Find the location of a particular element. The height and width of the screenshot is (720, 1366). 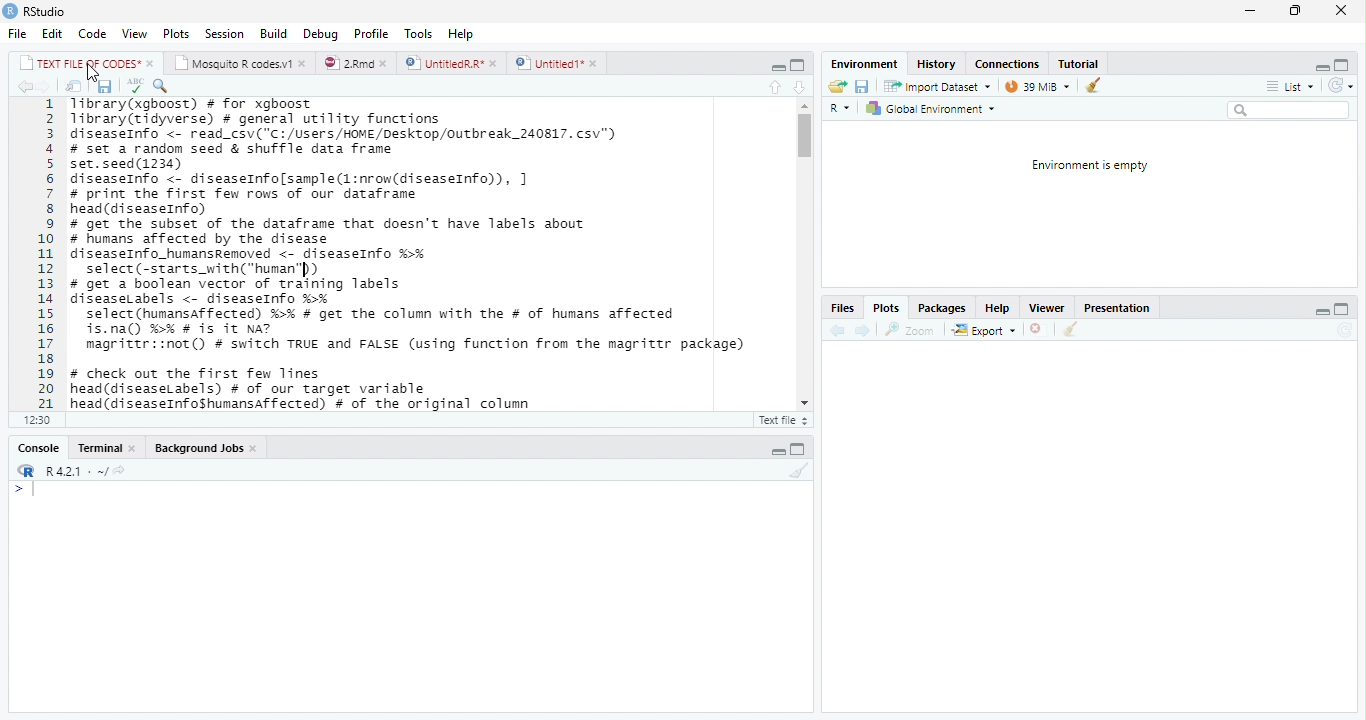

Environment is located at coordinates (859, 63).